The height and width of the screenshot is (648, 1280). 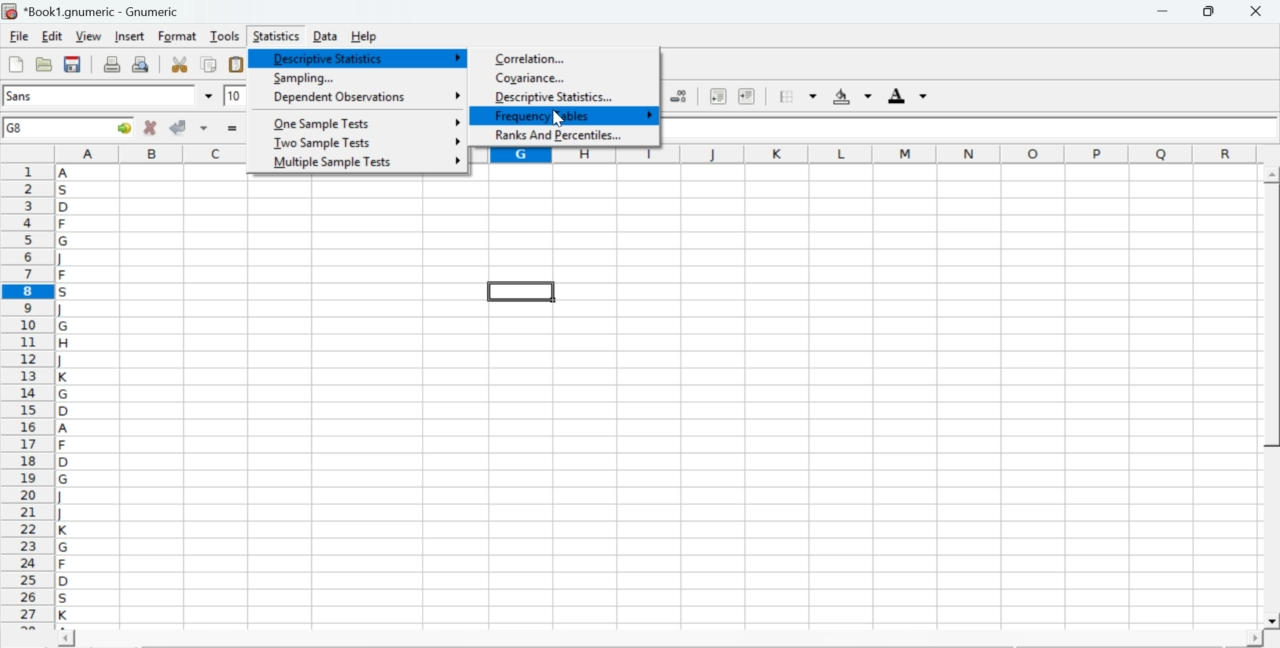 I want to click on borders, so click(x=799, y=96).